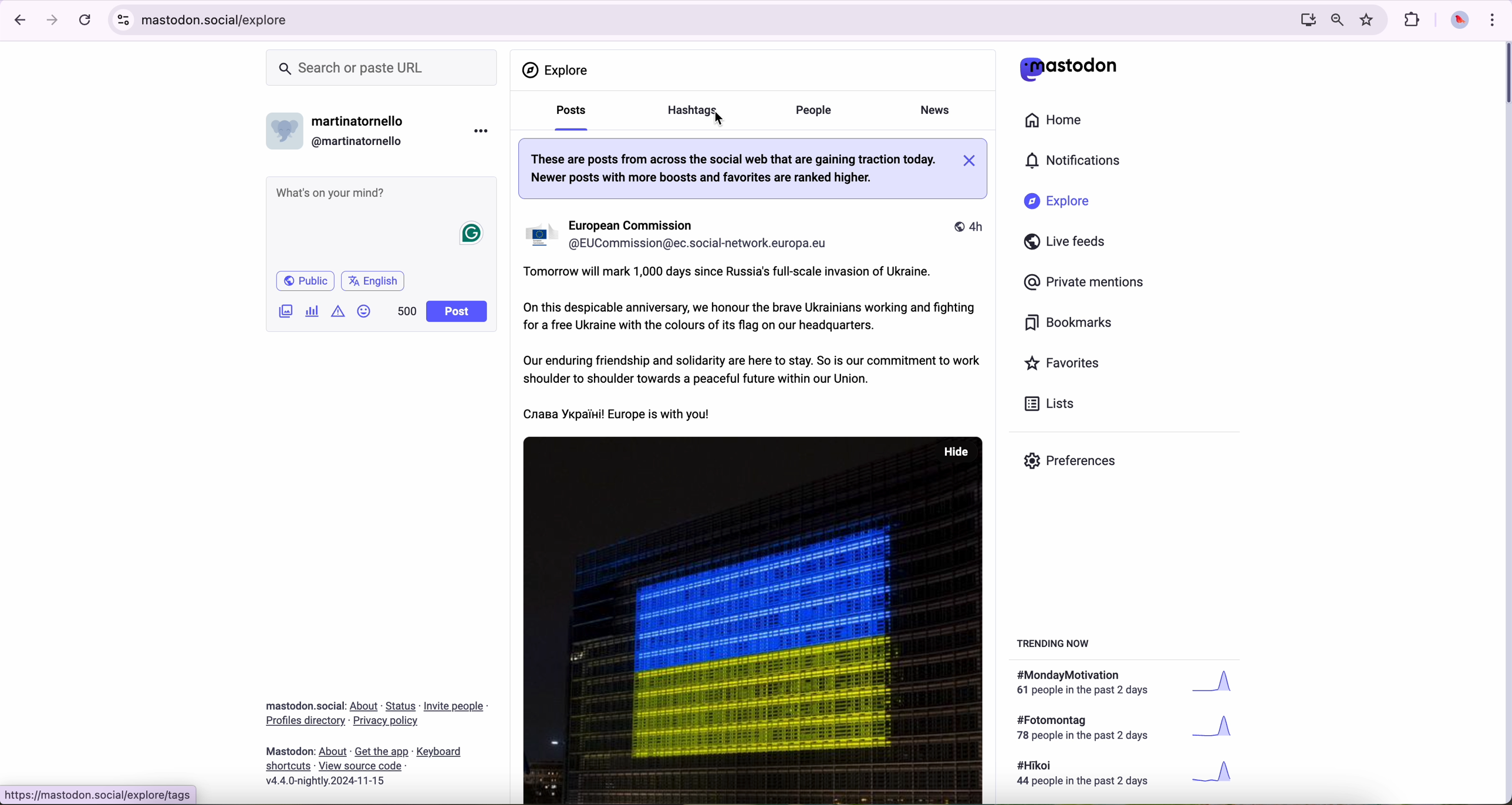 This screenshot has height=805, width=1512. Describe the element at coordinates (1064, 363) in the screenshot. I see `favorites` at that location.